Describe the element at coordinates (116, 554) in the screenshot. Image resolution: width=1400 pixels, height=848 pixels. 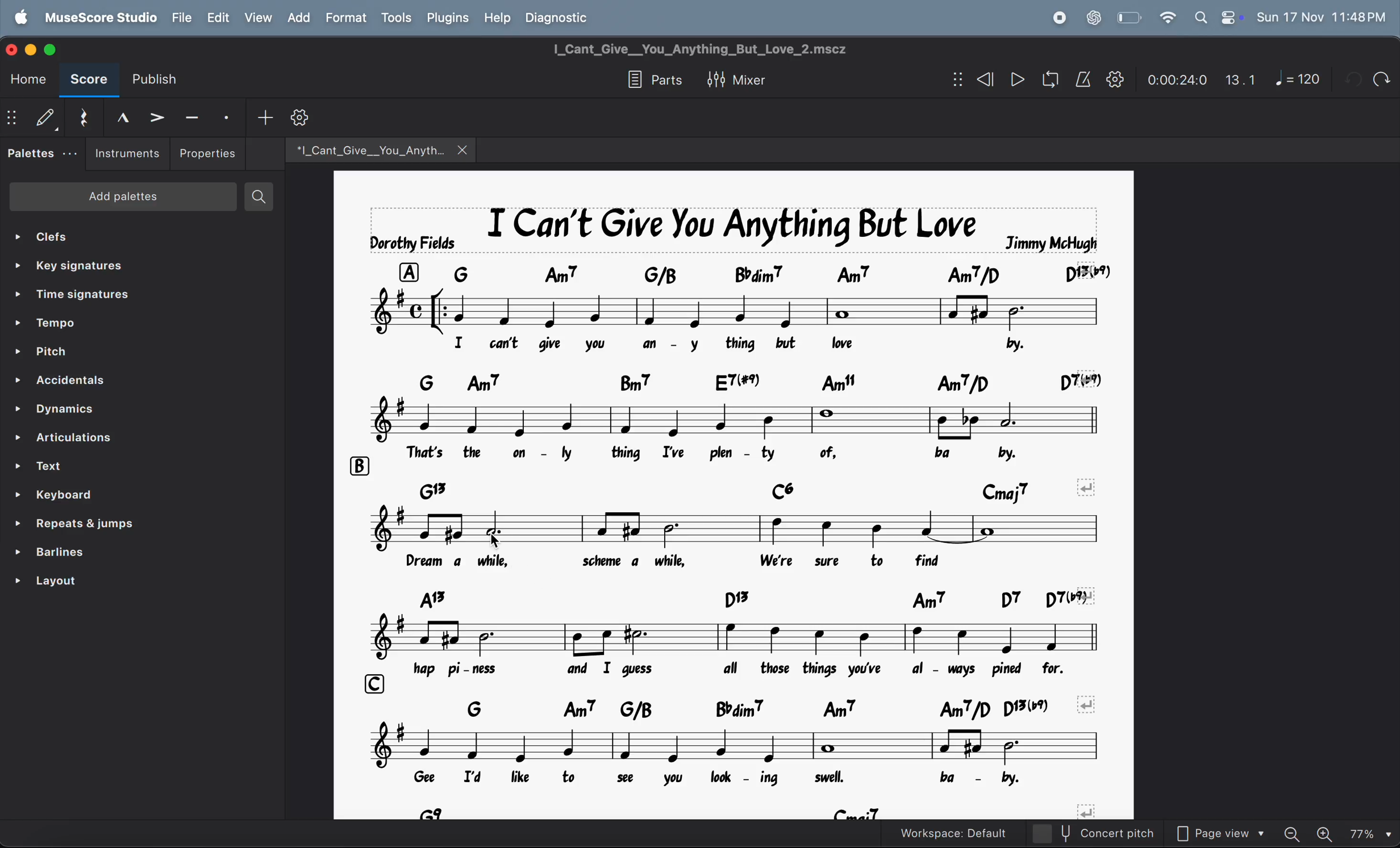
I see `barlines` at that location.